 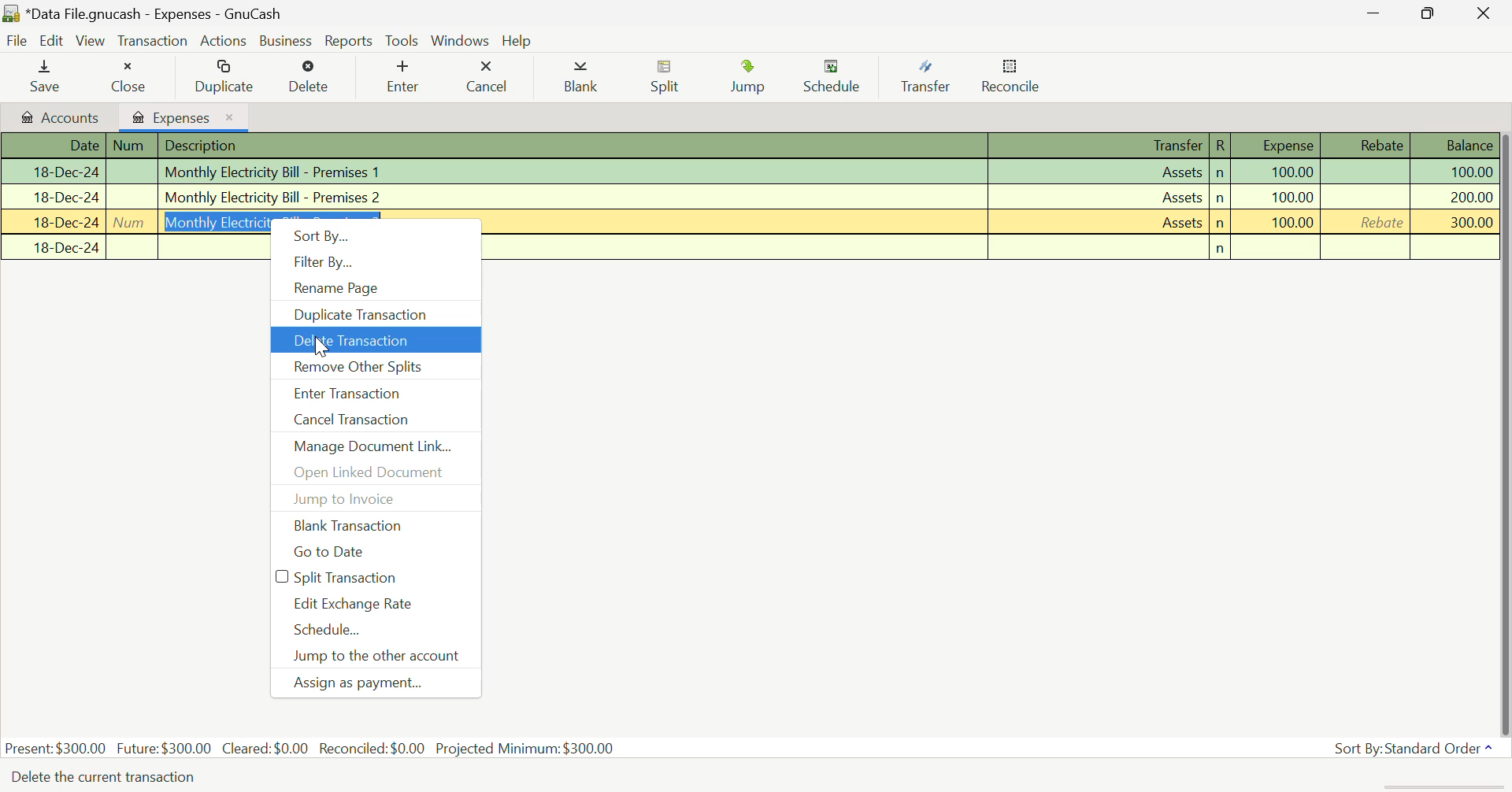 What do you see at coordinates (377, 577) in the screenshot?
I see `Split Transaction` at bounding box center [377, 577].